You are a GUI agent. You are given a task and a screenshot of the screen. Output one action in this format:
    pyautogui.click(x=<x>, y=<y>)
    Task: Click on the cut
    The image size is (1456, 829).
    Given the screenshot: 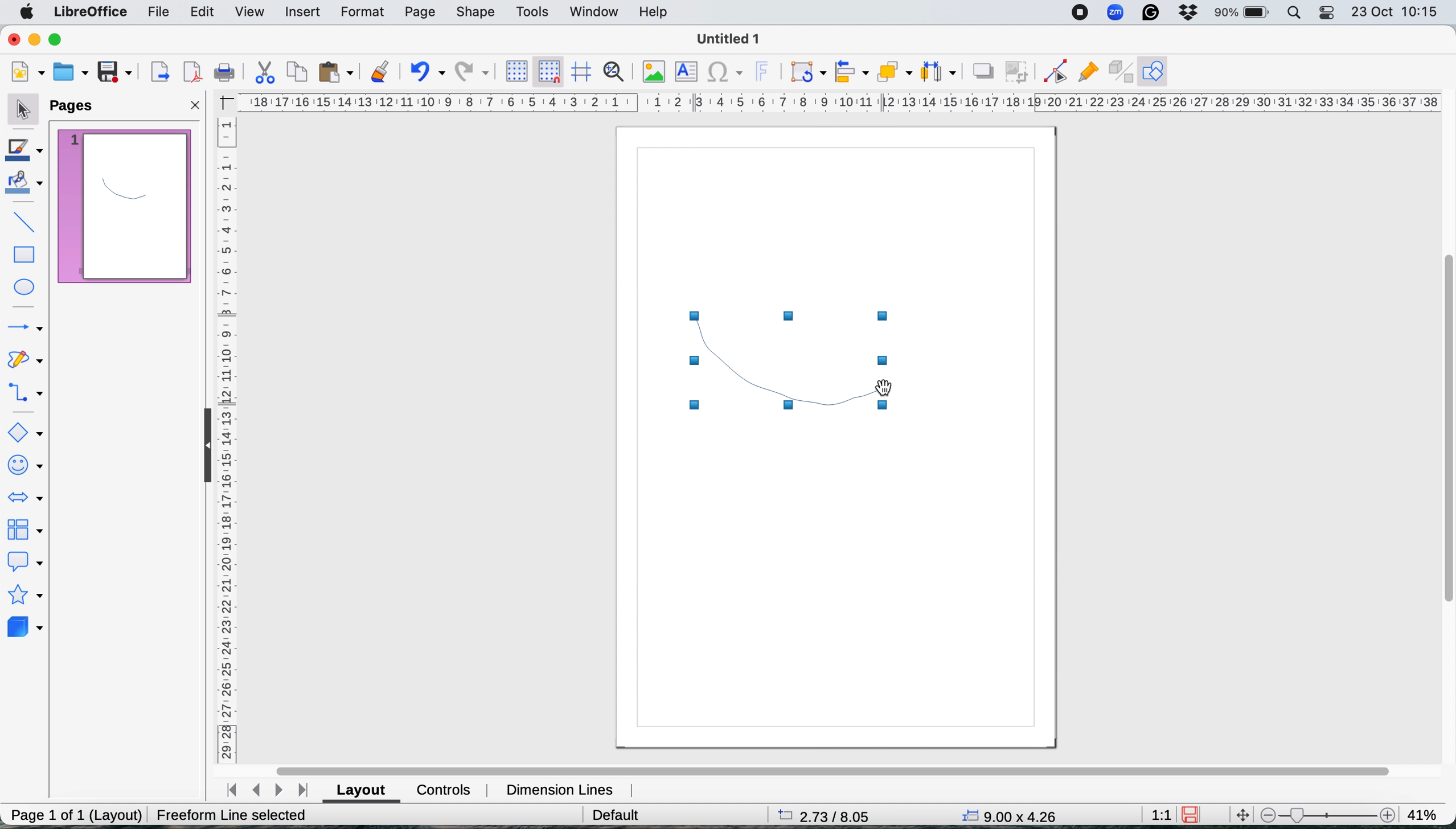 What is the action you would take?
    pyautogui.click(x=264, y=72)
    